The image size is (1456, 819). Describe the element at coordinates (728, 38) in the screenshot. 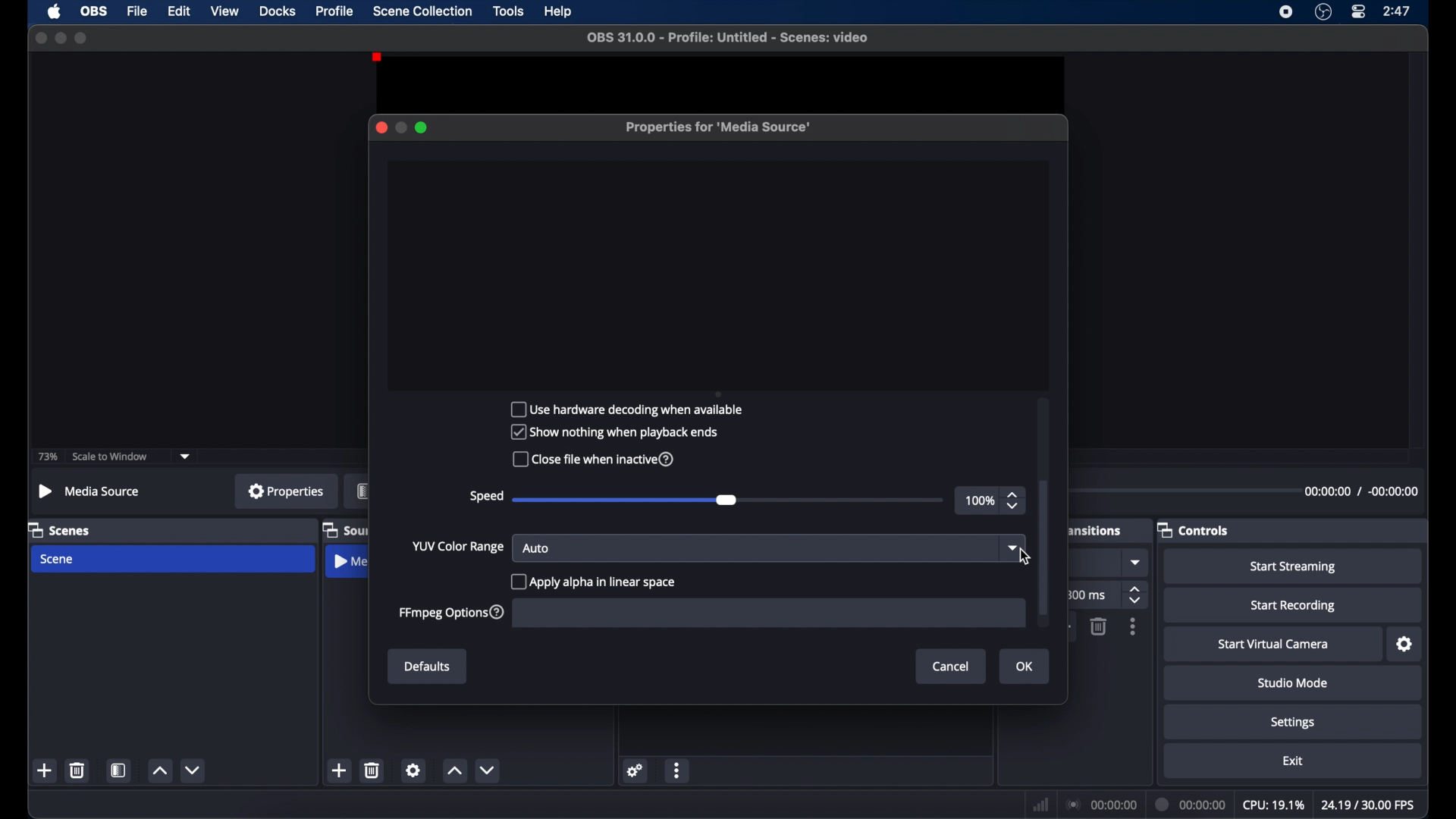

I see `file name` at that location.